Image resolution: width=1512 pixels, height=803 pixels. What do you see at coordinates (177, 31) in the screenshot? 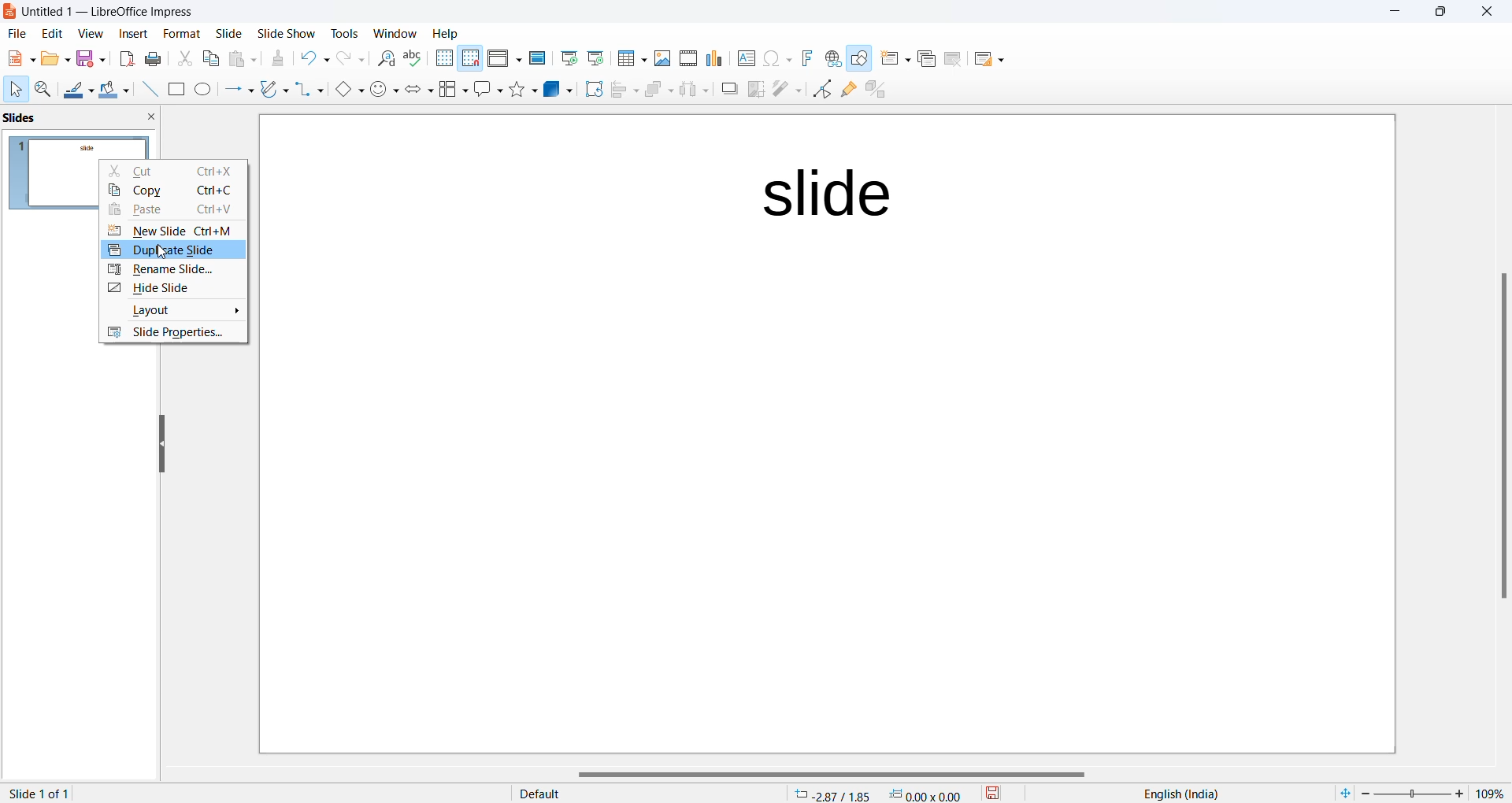
I see `Format` at bounding box center [177, 31].